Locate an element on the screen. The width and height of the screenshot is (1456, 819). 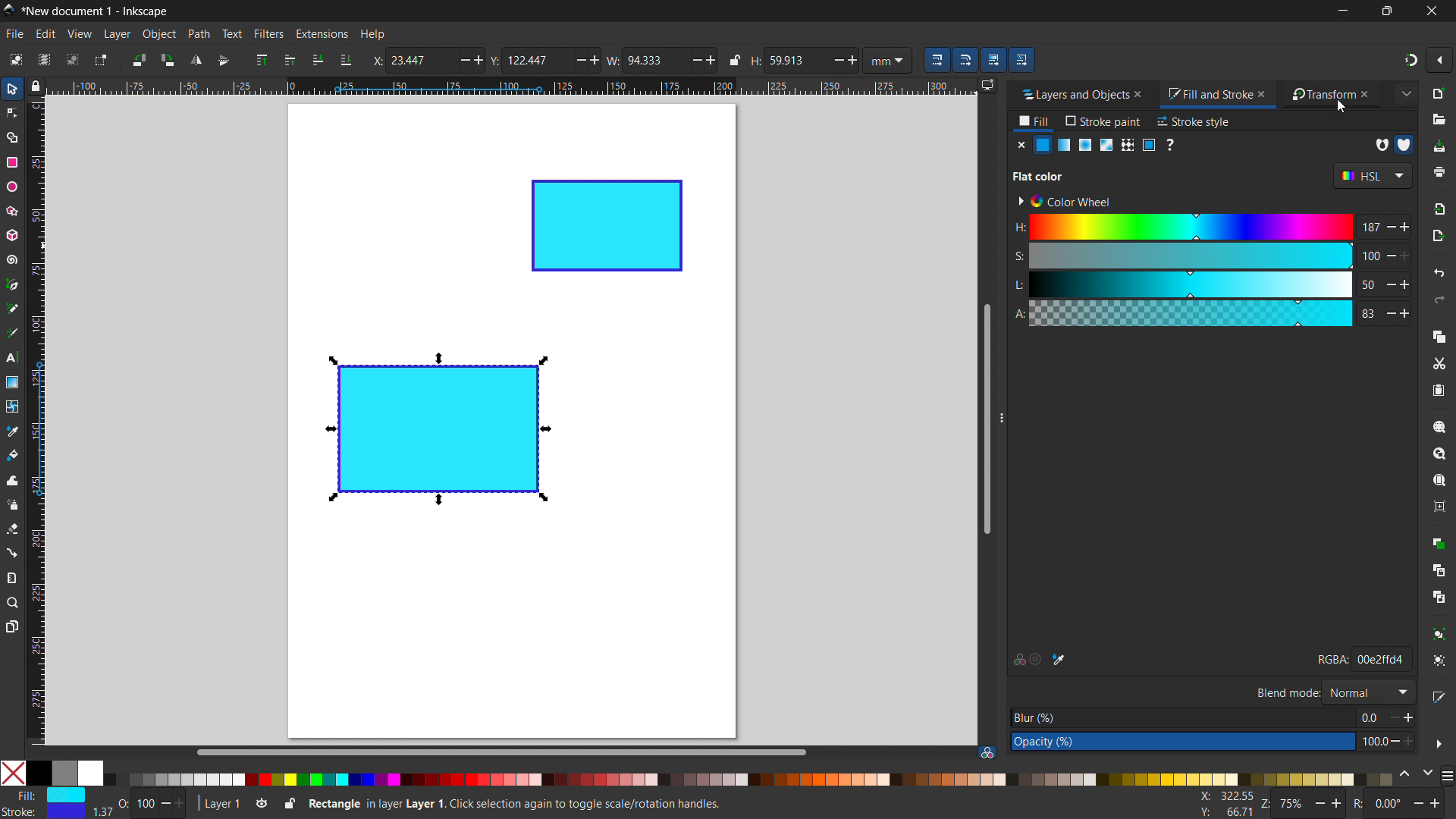
S: 100 is located at coordinates (1208, 255).